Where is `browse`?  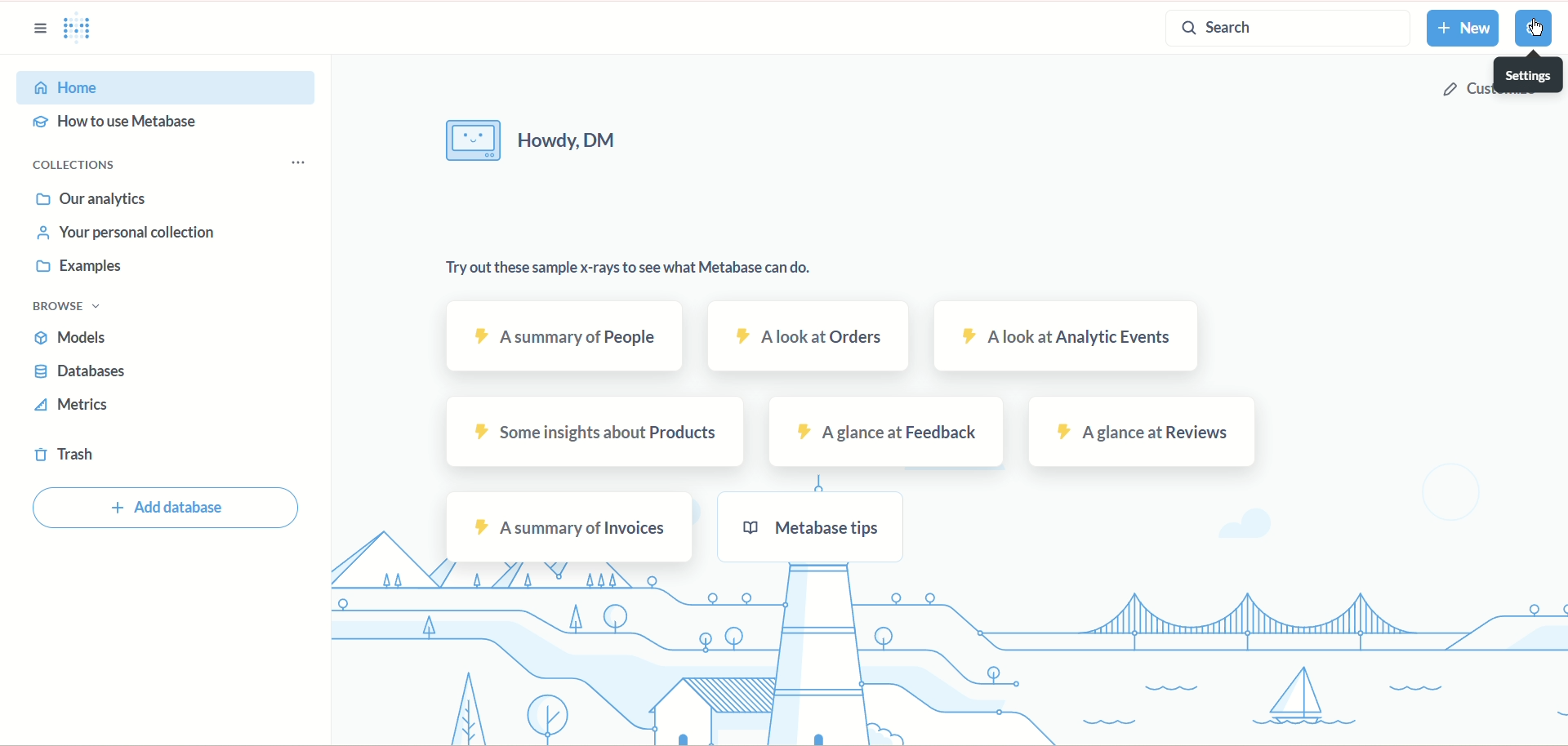
browse is located at coordinates (69, 306).